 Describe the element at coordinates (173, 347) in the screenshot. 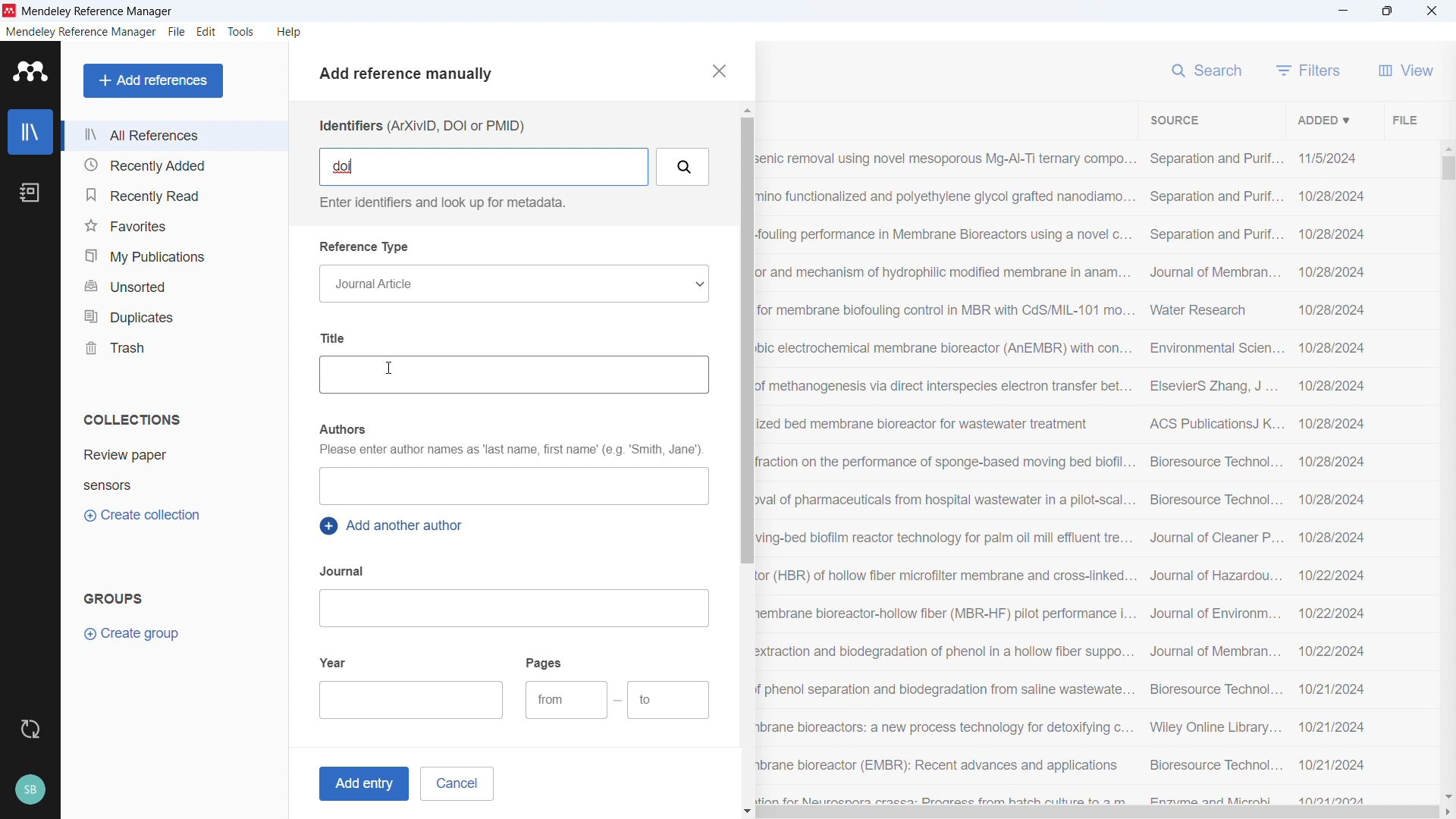

I see `Trash ` at that location.